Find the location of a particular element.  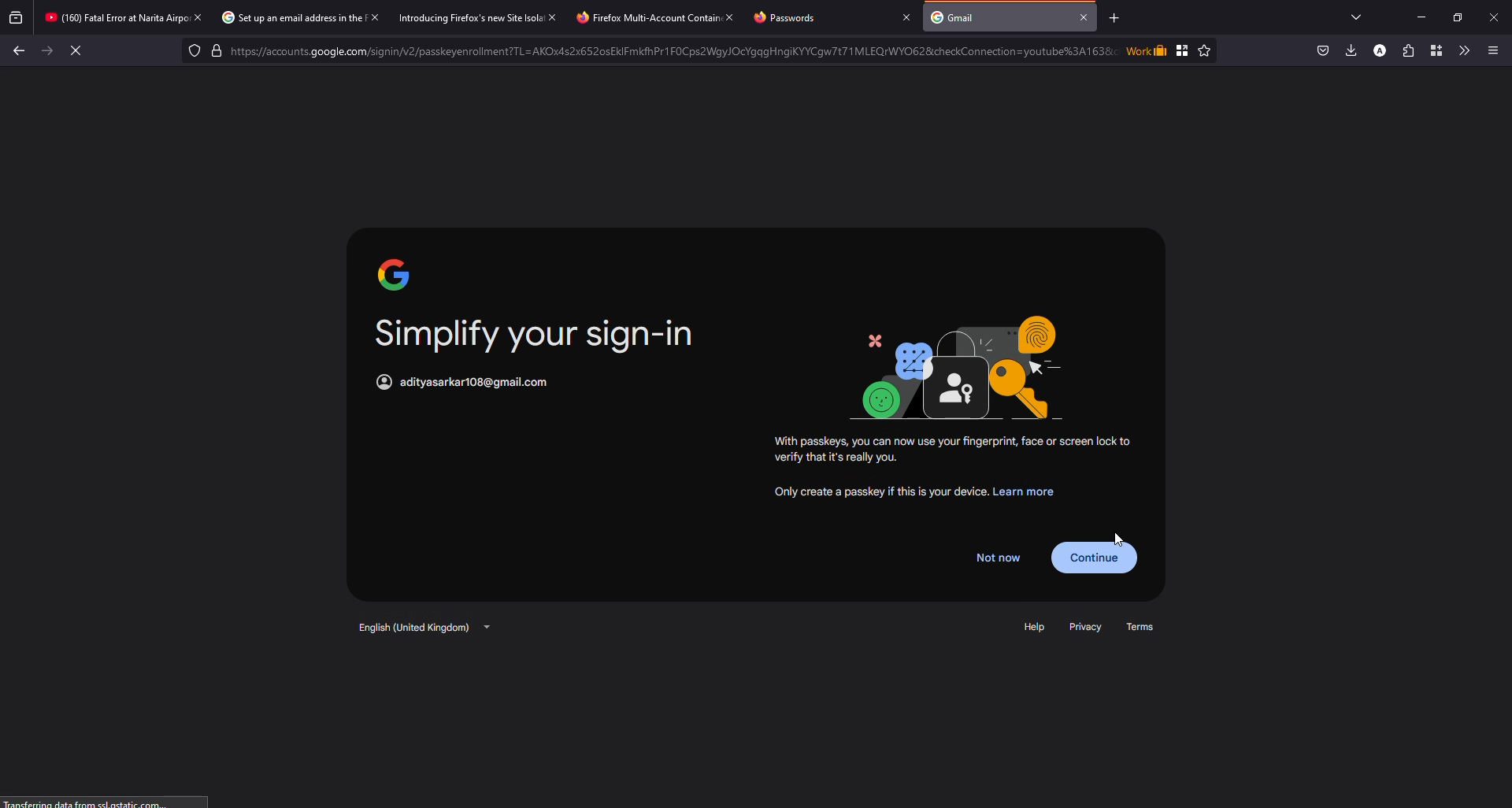

minimize is located at coordinates (1414, 17).